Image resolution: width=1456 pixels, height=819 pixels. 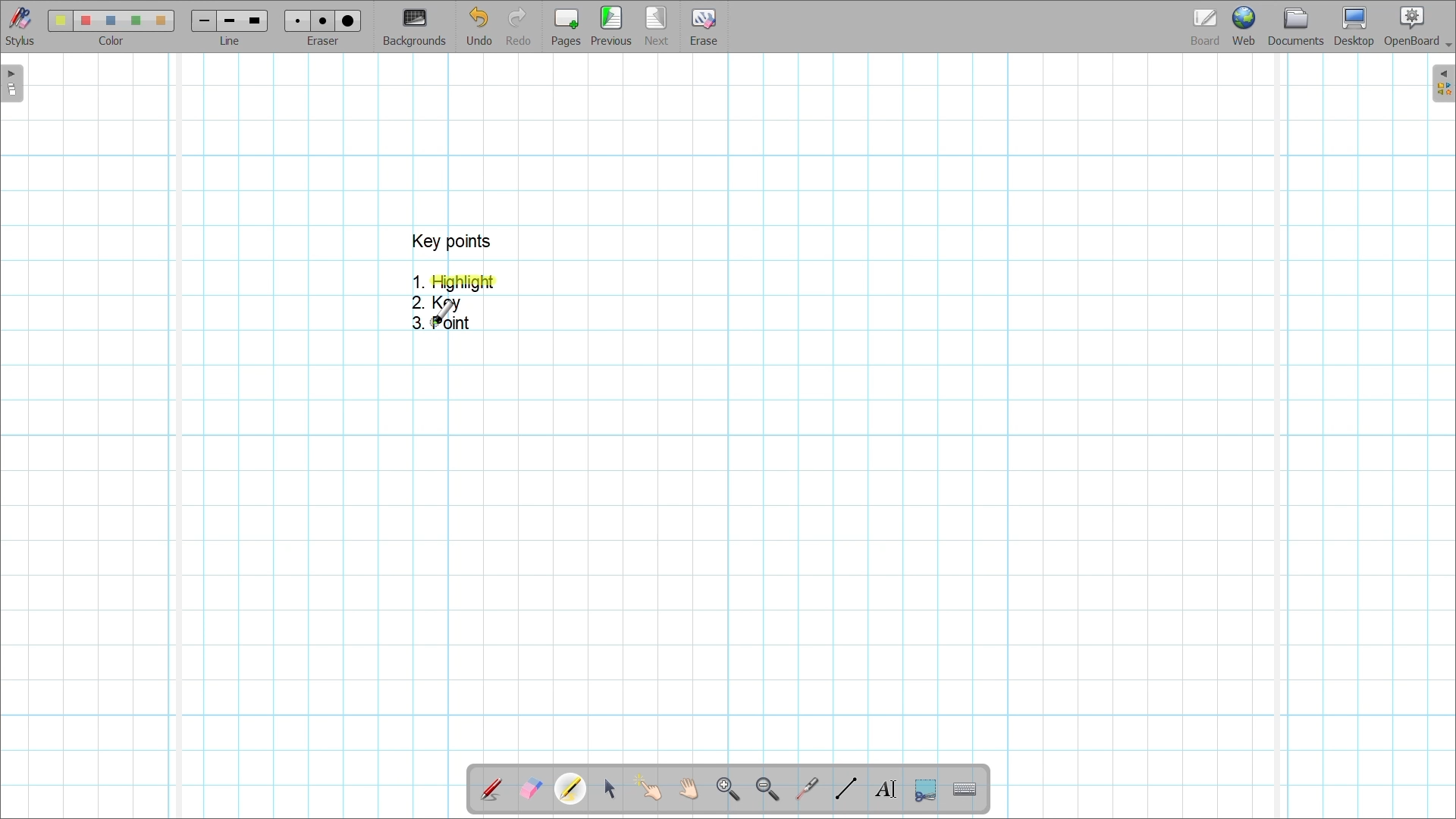 What do you see at coordinates (1443, 83) in the screenshot?
I see `Right sidebar` at bounding box center [1443, 83].